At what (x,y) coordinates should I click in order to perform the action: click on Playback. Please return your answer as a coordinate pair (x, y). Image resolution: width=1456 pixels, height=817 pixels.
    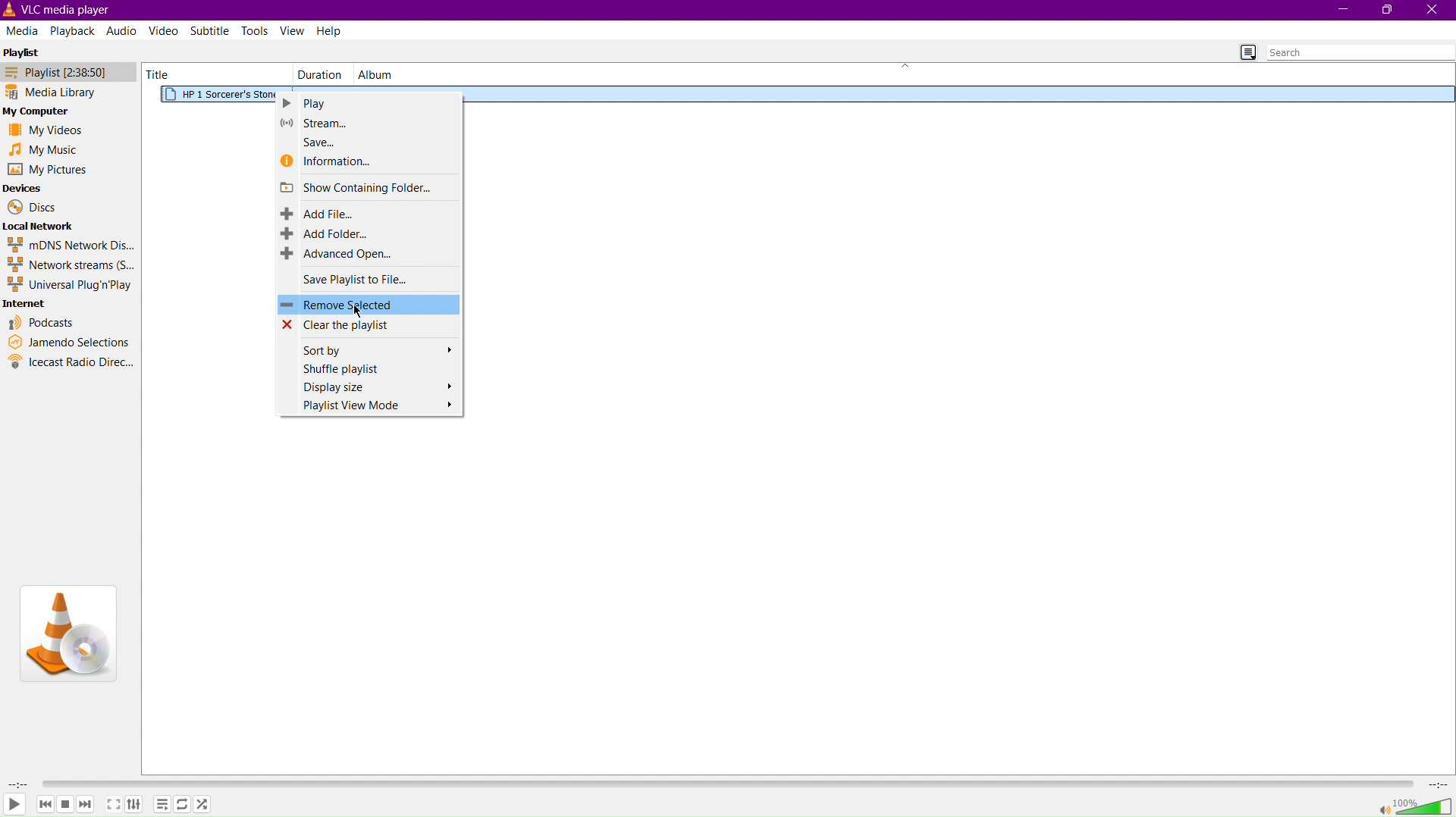
    Looking at the image, I should click on (74, 30).